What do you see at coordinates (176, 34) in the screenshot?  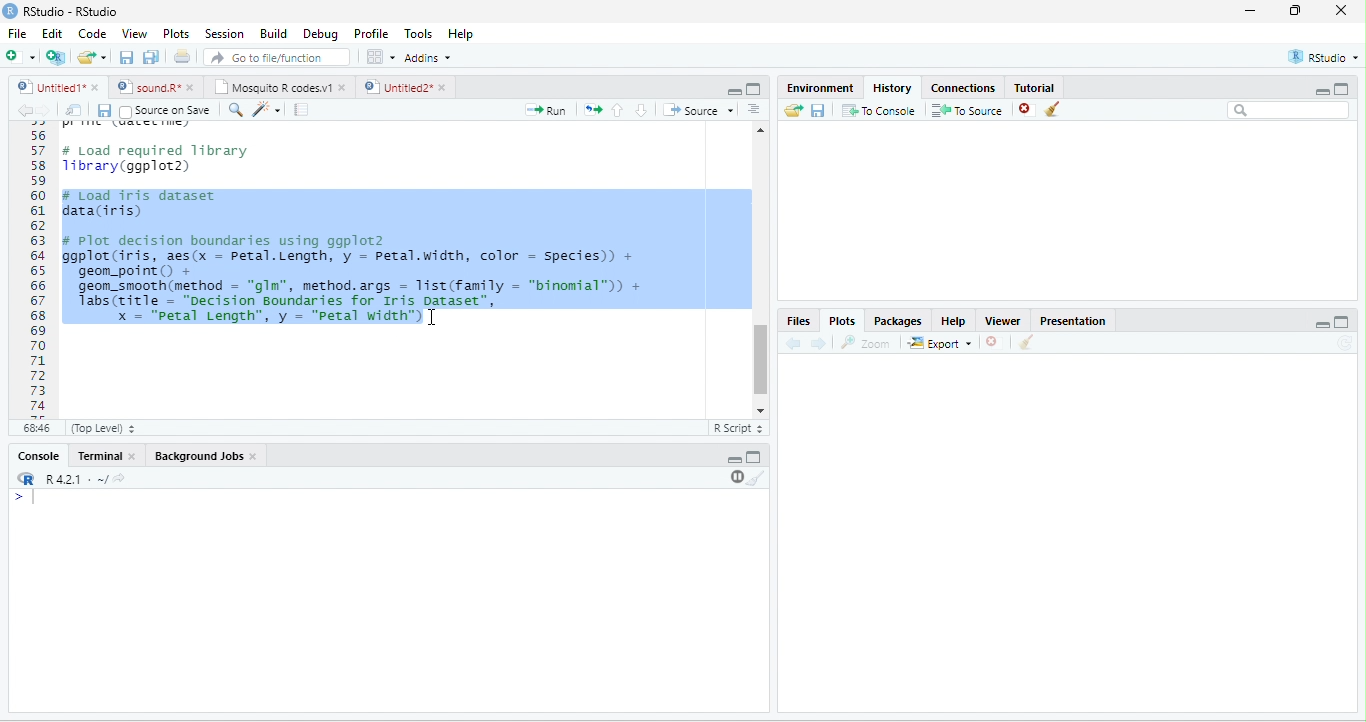 I see `Plots` at bounding box center [176, 34].